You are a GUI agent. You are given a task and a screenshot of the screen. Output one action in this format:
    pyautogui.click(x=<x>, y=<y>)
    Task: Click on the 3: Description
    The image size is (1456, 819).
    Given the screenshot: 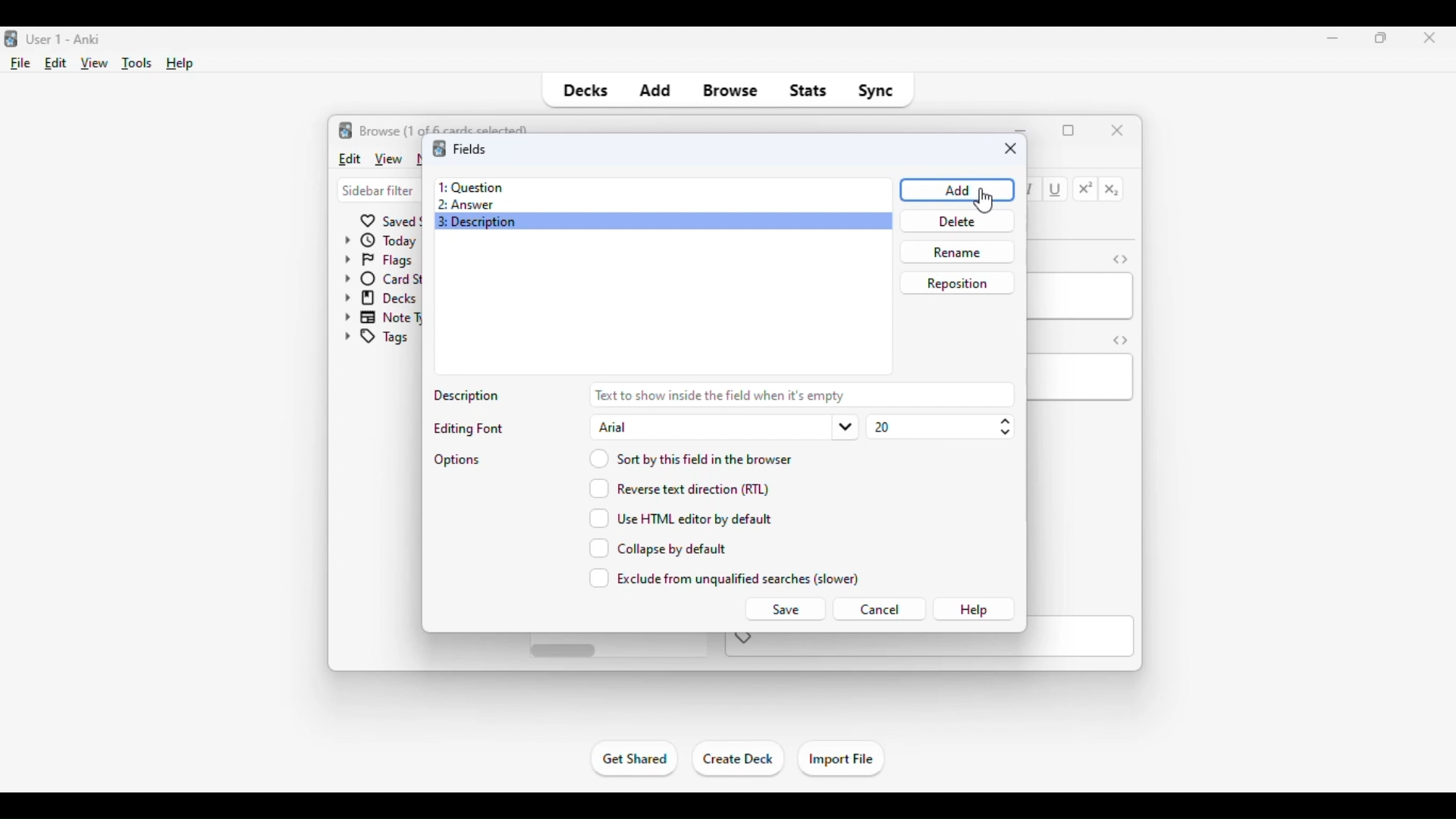 What is the action you would take?
    pyautogui.click(x=483, y=224)
    